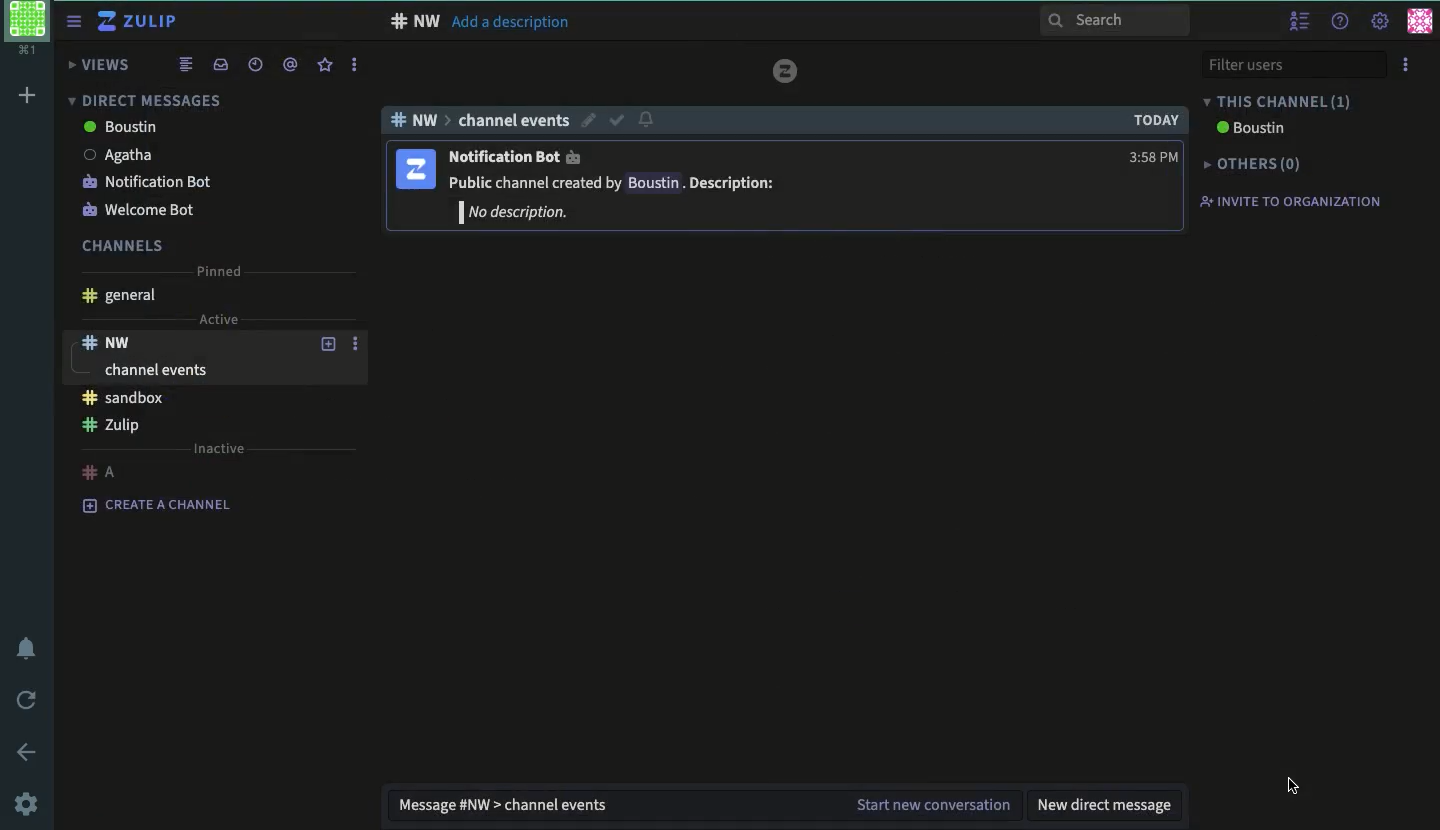  I want to click on new direct message, so click(1106, 804).